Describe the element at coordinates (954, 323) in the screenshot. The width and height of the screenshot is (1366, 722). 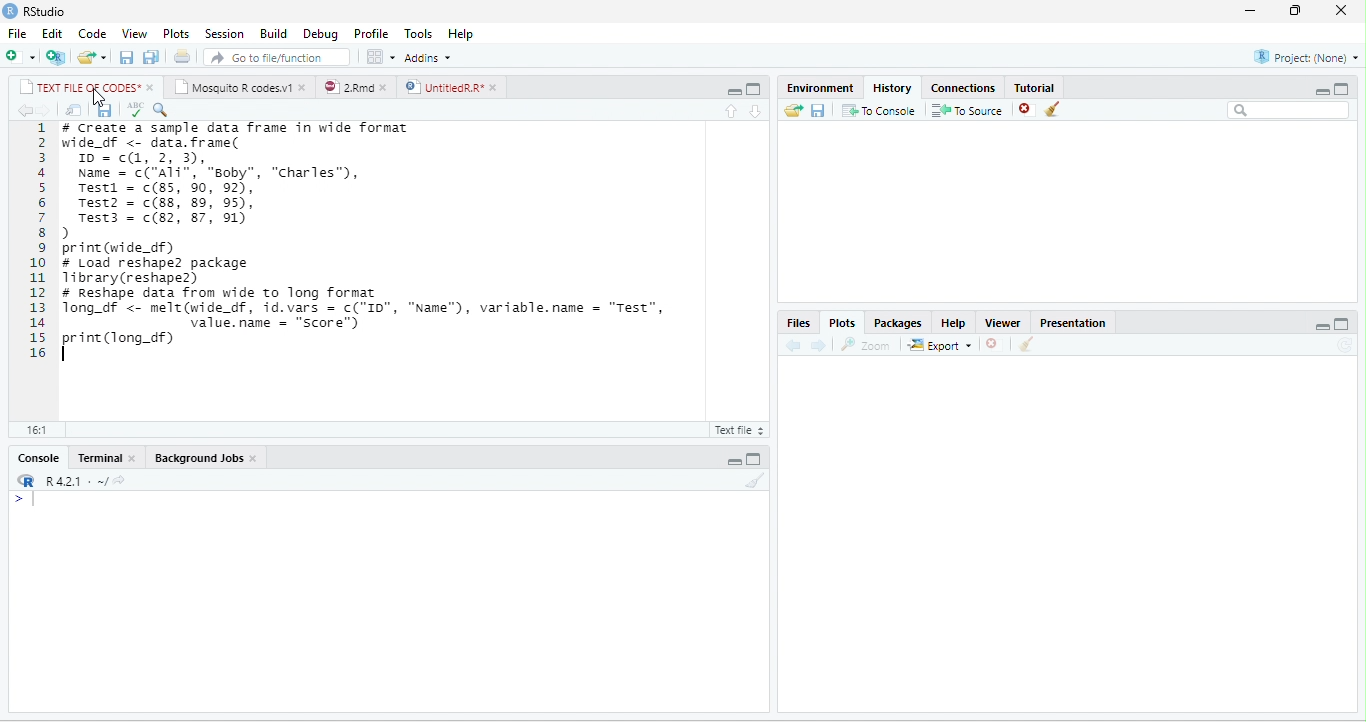
I see `Help` at that location.